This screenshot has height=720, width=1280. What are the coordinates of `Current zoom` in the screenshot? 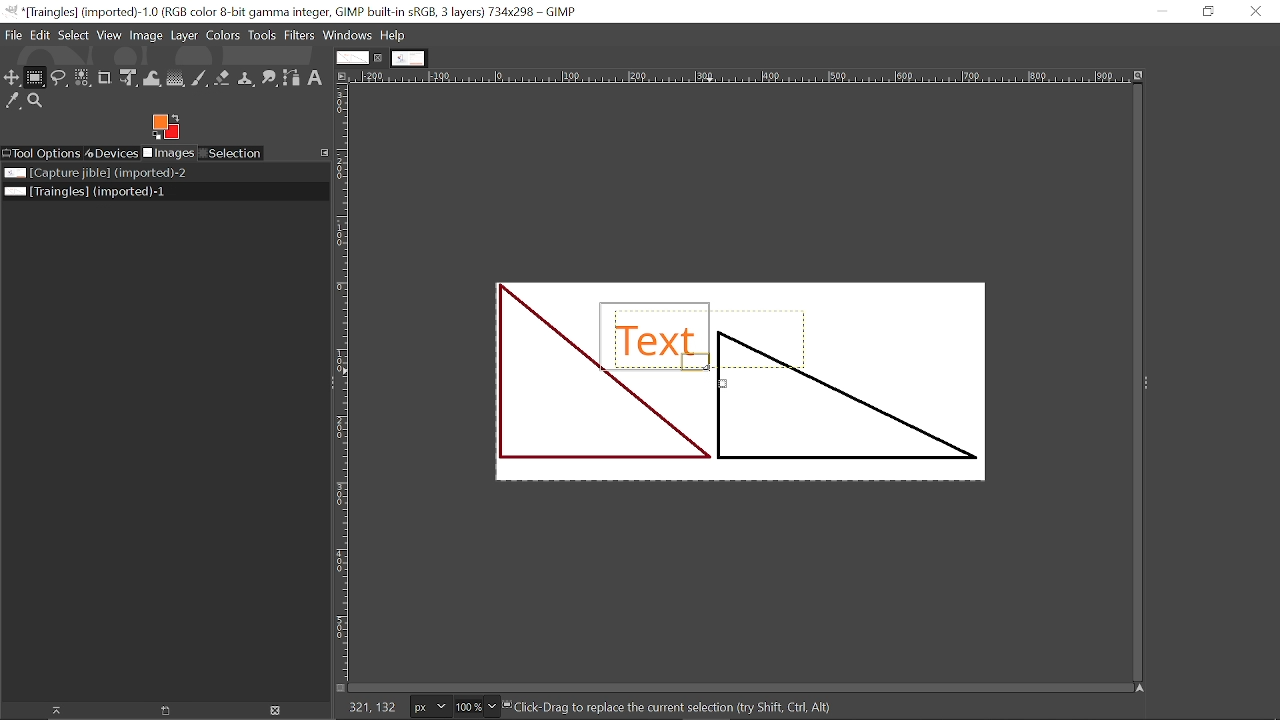 It's located at (468, 706).